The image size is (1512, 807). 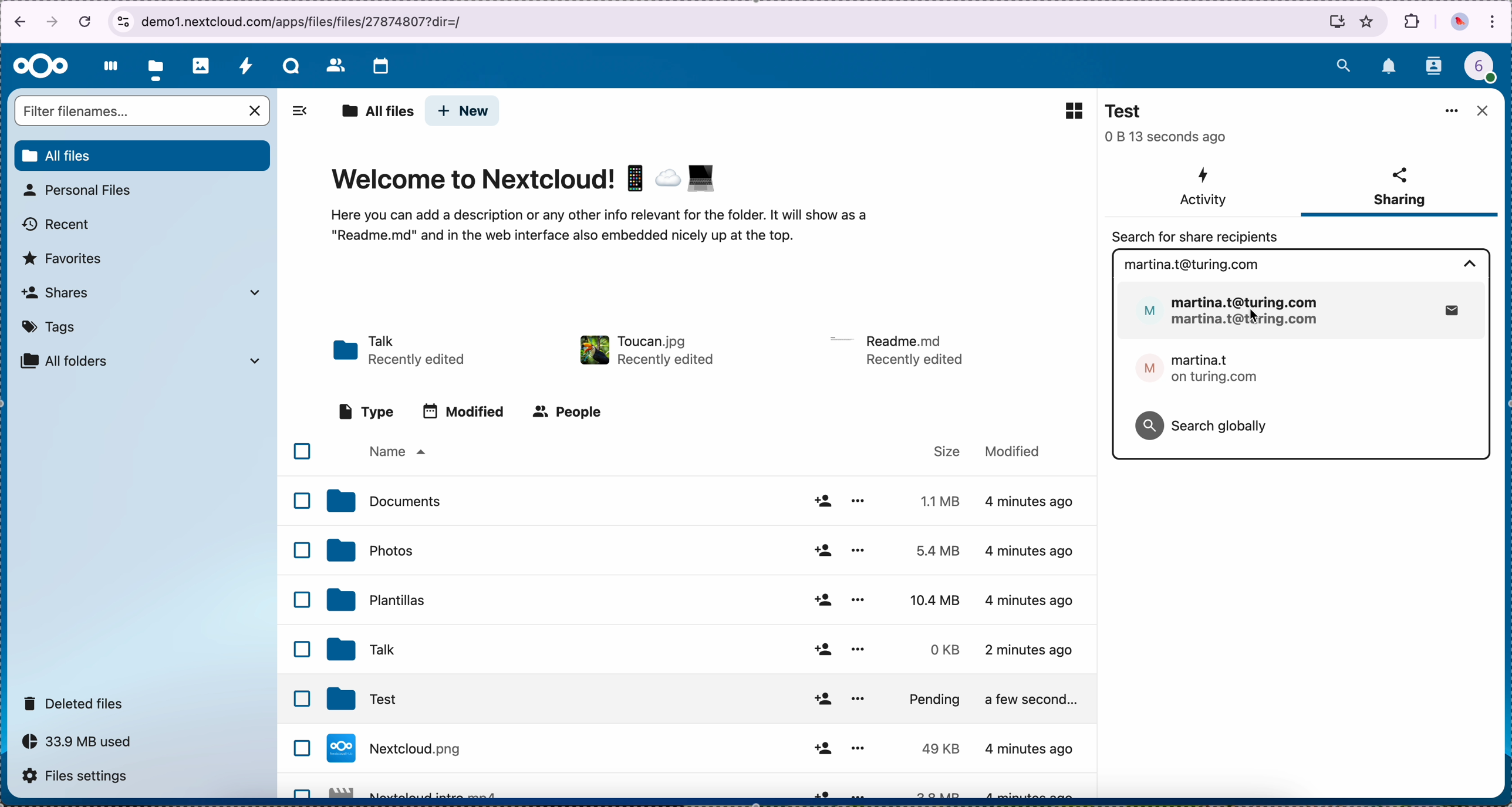 What do you see at coordinates (201, 66) in the screenshot?
I see `photos` at bounding box center [201, 66].